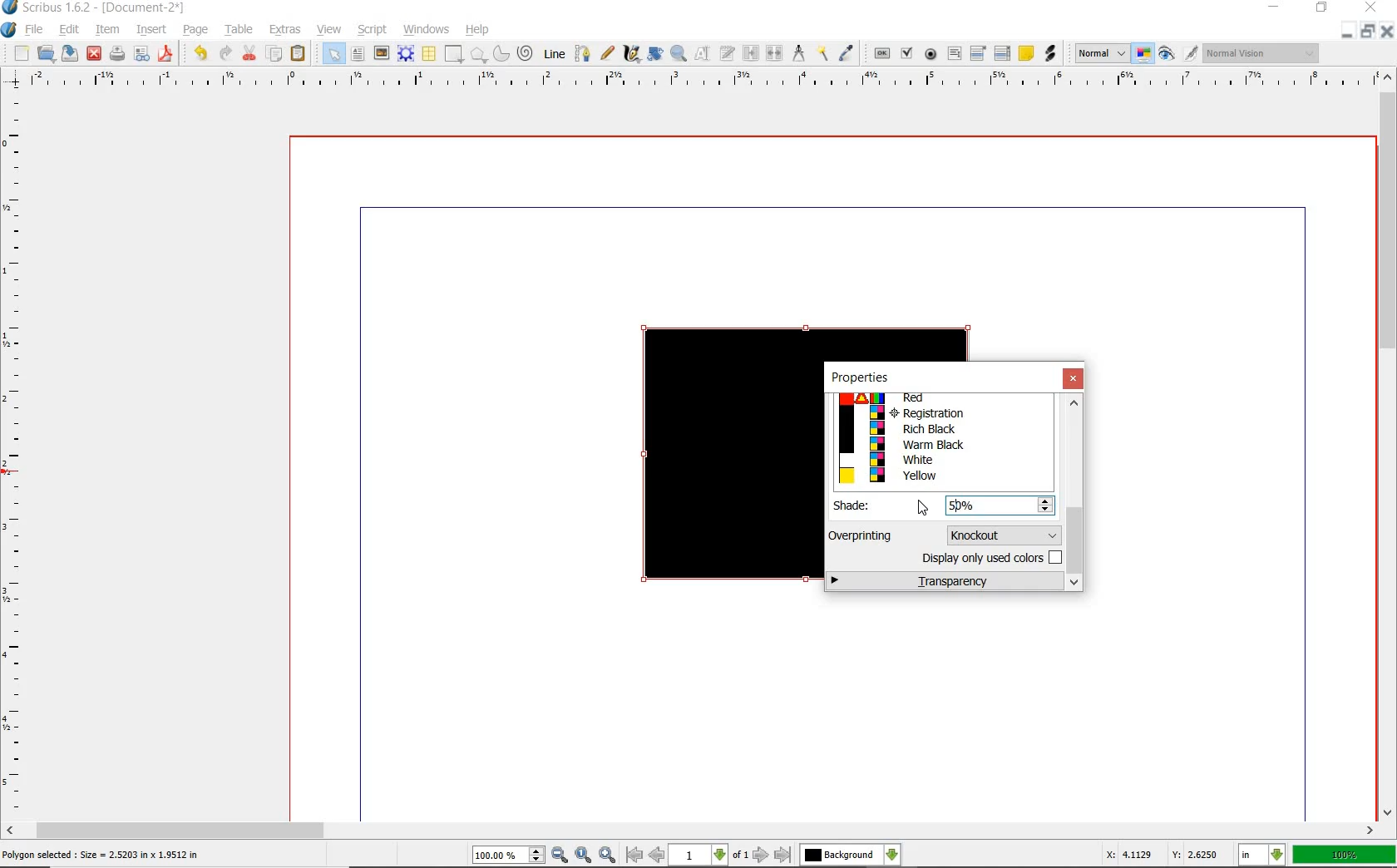 Image resolution: width=1397 pixels, height=868 pixels. What do you see at coordinates (299, 55) in the screenshot?
I see `paste` at bounding box center [299, 55].